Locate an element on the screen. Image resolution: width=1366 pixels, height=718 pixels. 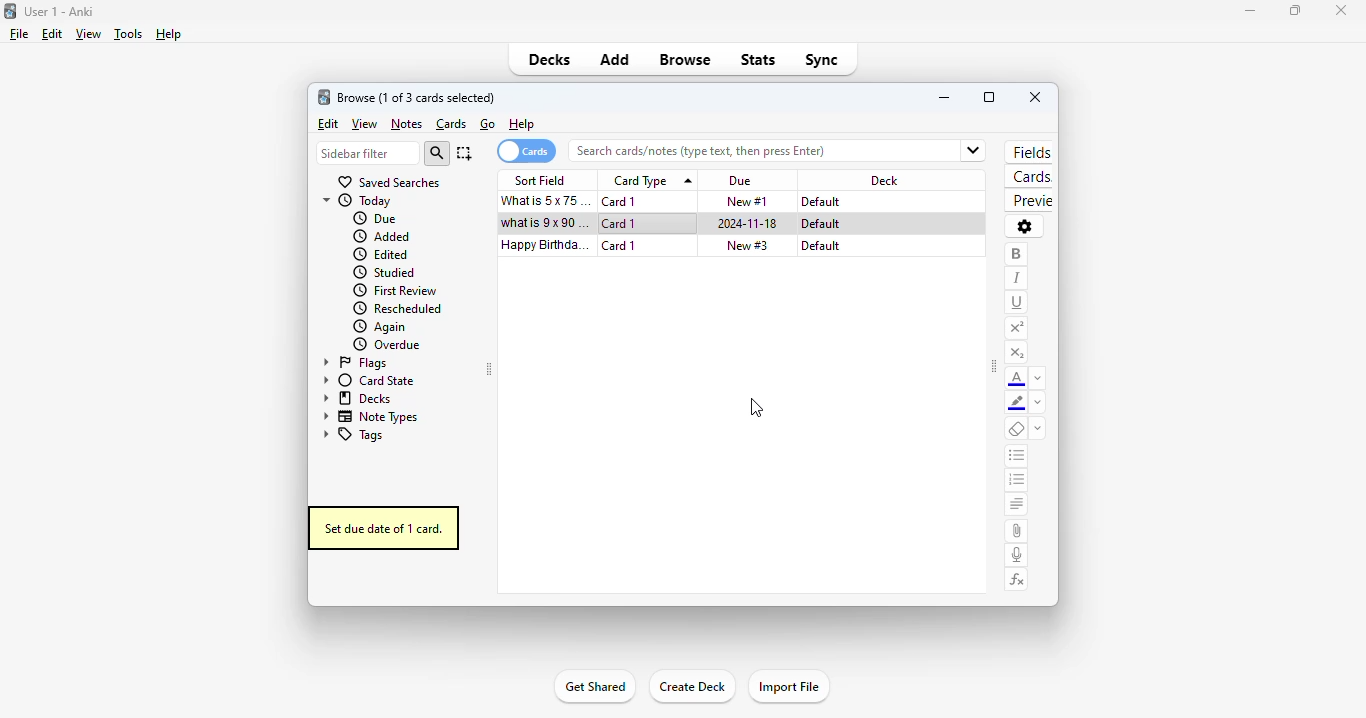
select is located at coordinates (464, 153).